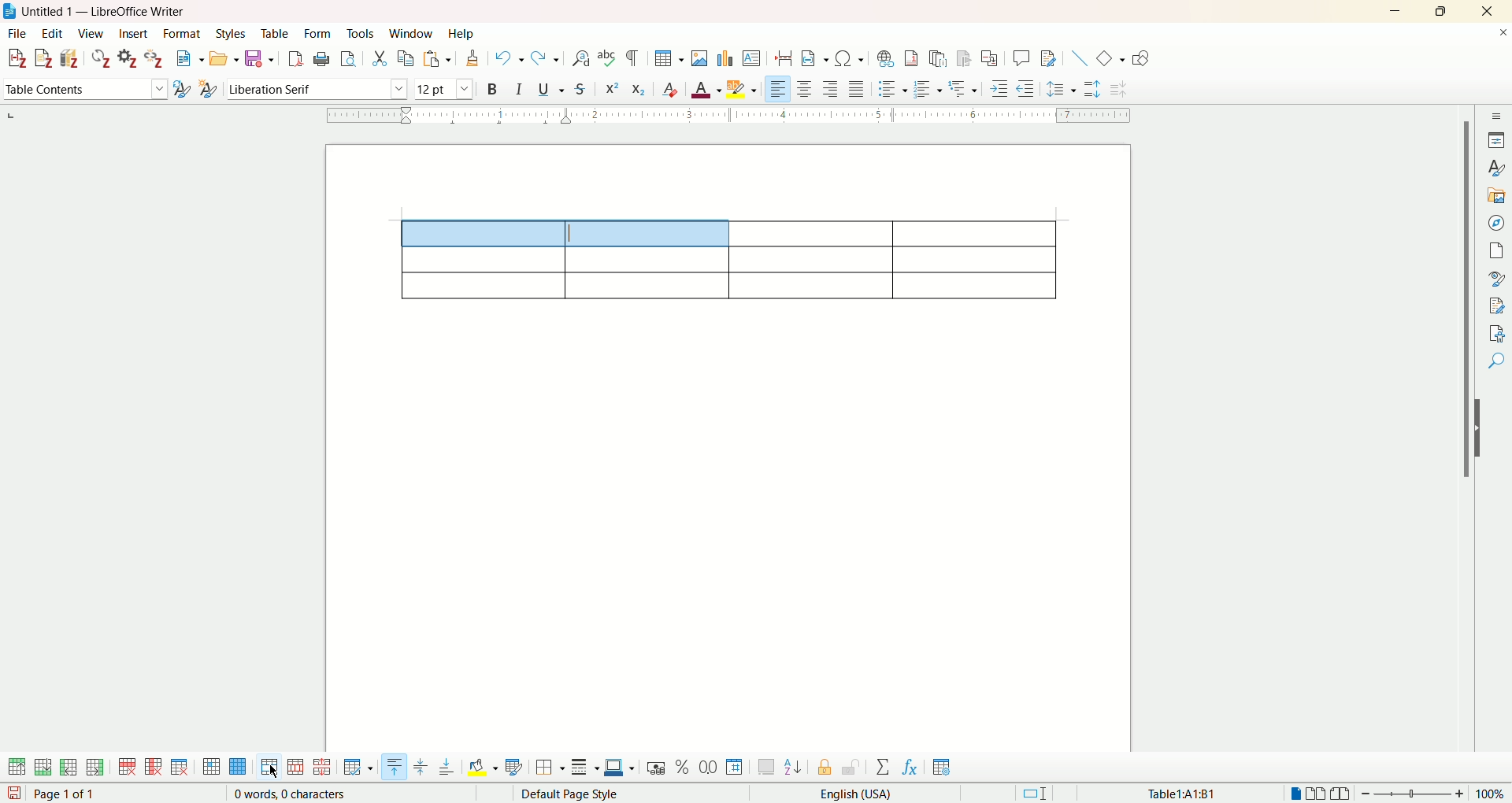  What do you see at coordinates (753, 58) in the screenshot?
I see `insert text box` at bounding box center [753, 58].